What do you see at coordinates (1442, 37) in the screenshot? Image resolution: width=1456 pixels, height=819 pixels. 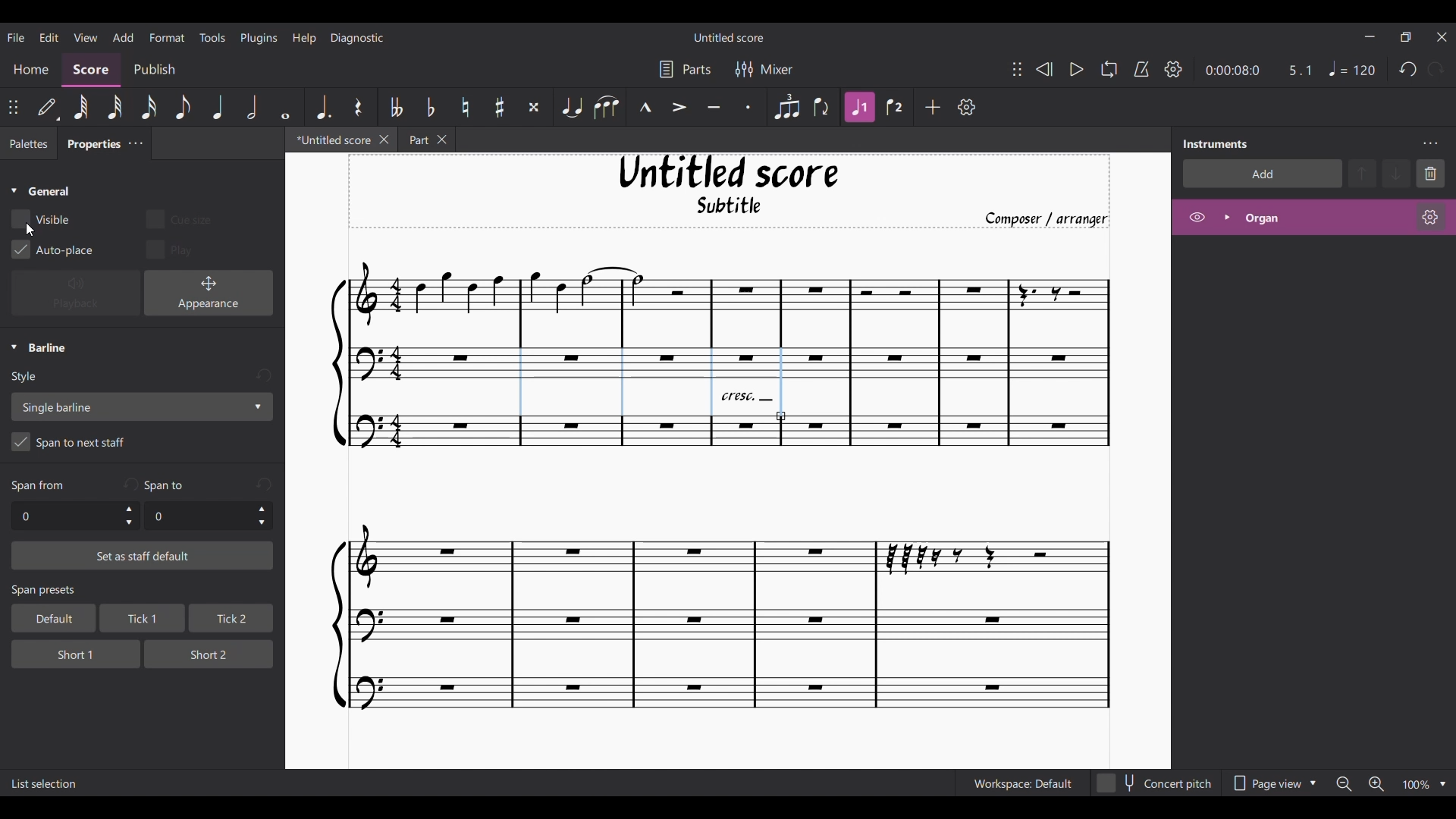 I see `Close interface` at bounding box center [1442, 37].